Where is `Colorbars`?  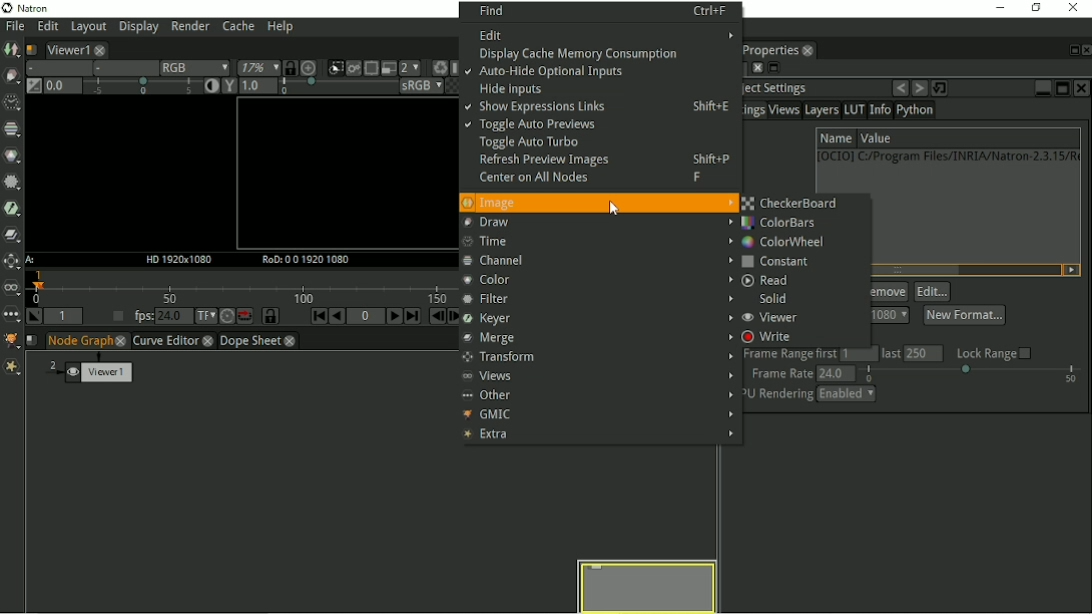 Colorbars is located at coordinates (784, 222).